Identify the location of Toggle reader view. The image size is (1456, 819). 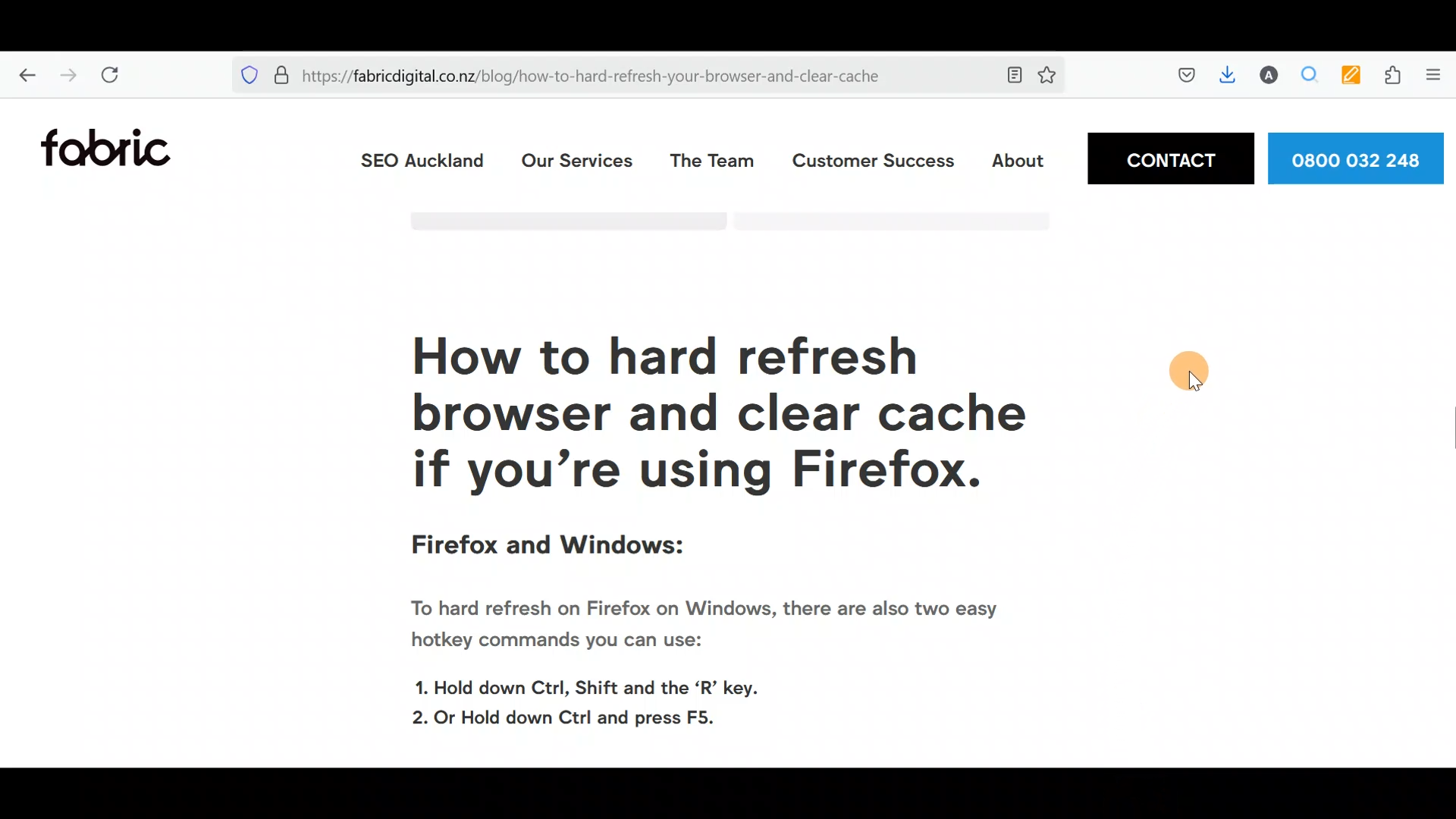
(1018, 74).